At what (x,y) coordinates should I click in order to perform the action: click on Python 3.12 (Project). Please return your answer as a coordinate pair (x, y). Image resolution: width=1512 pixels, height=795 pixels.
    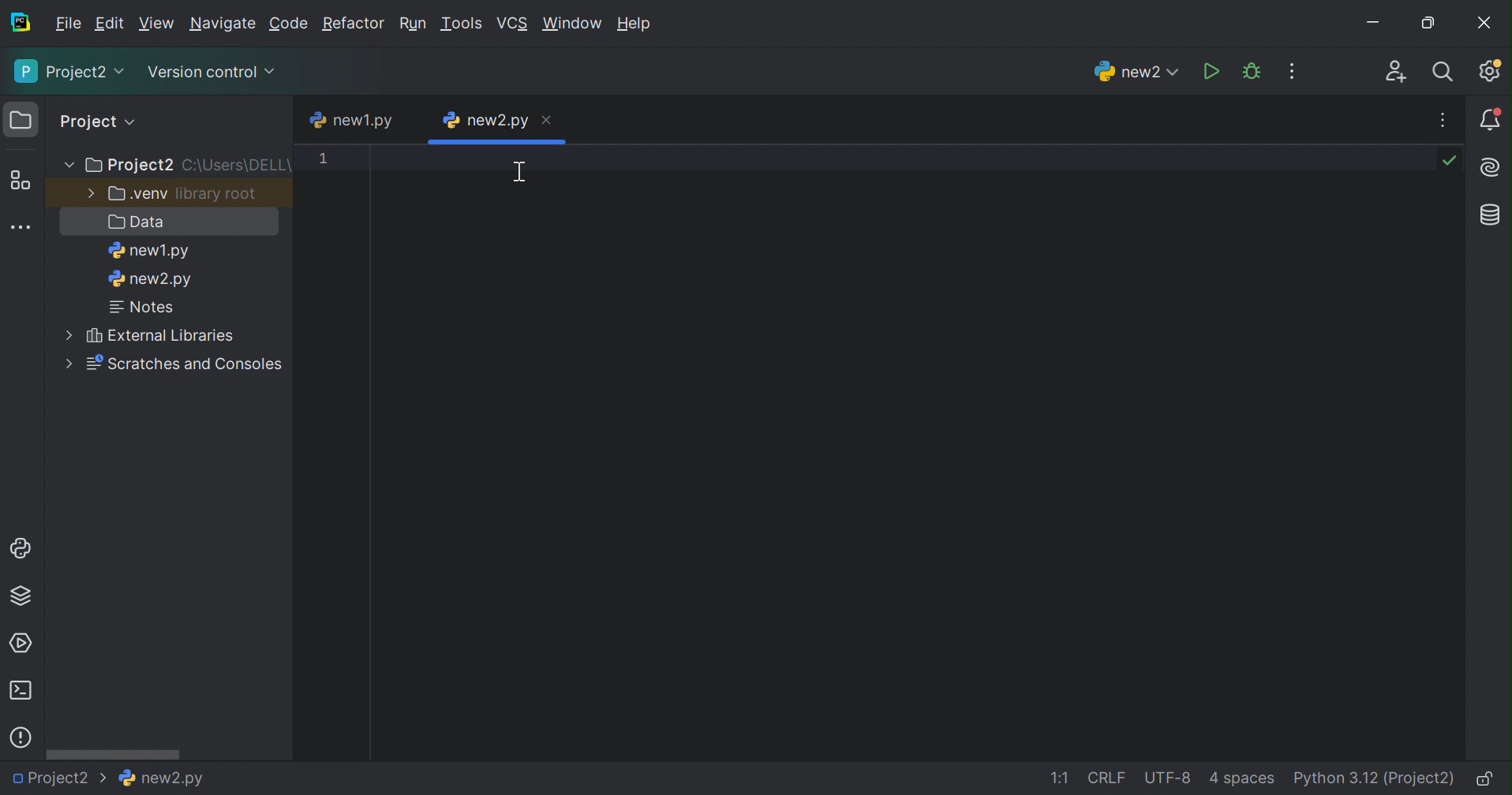
    Looking at the image, I should click on (1375, 778).